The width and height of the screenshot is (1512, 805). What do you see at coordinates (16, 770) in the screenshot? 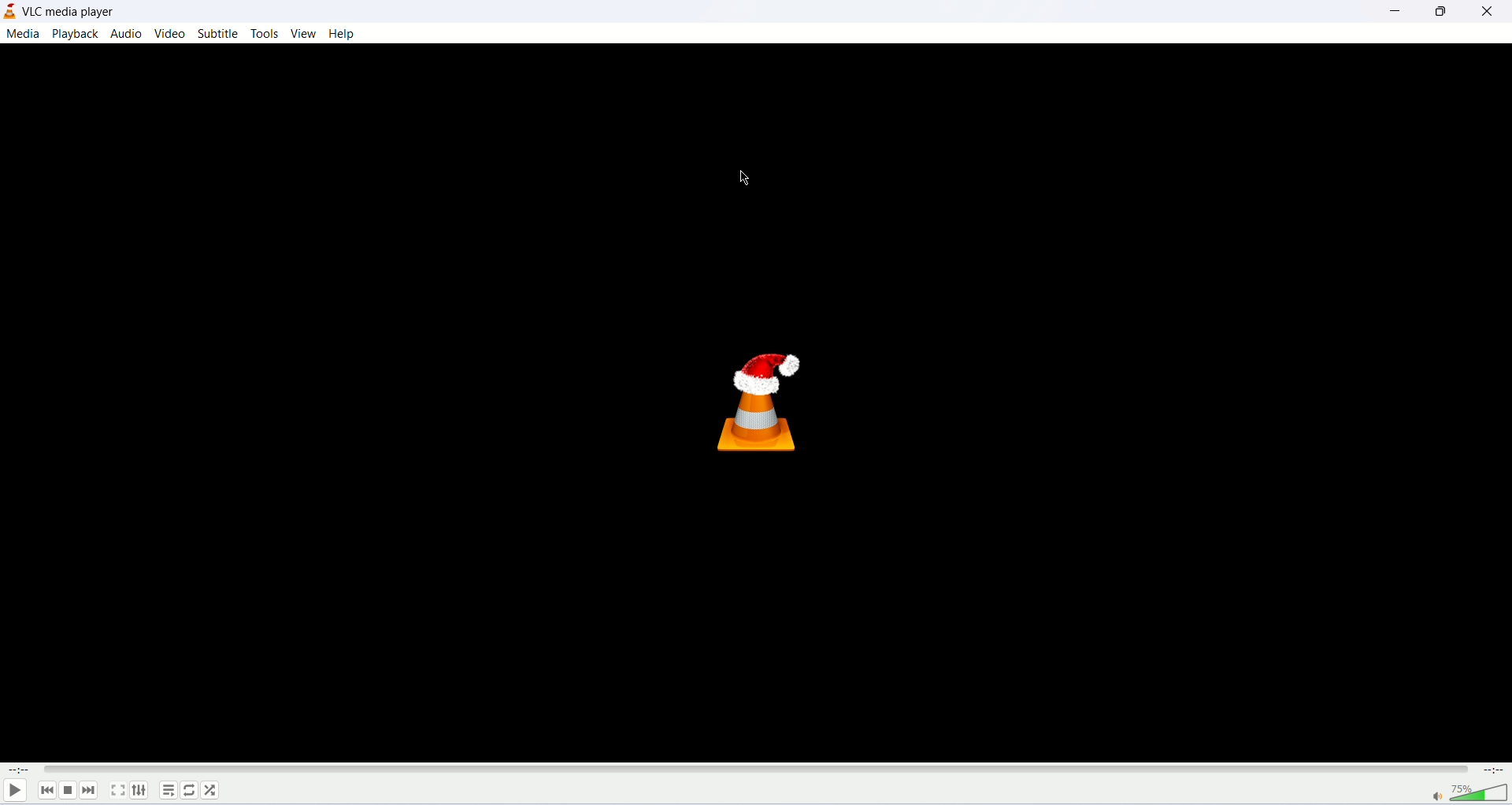
I see `played time` at bounding box center [16, 770].